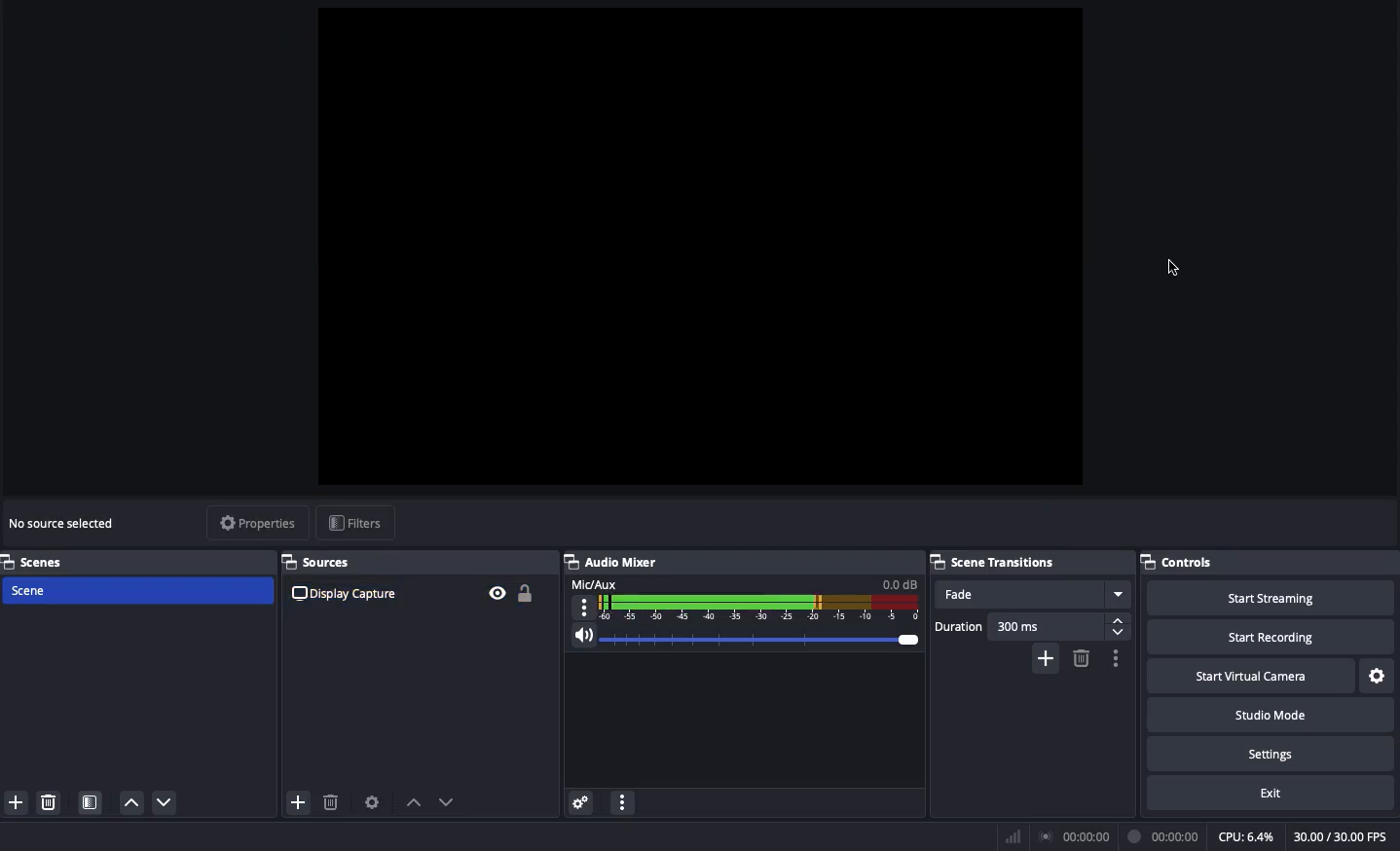 The image size is (1400, 851). I want to click on Start streaming, so click(1272, 596).